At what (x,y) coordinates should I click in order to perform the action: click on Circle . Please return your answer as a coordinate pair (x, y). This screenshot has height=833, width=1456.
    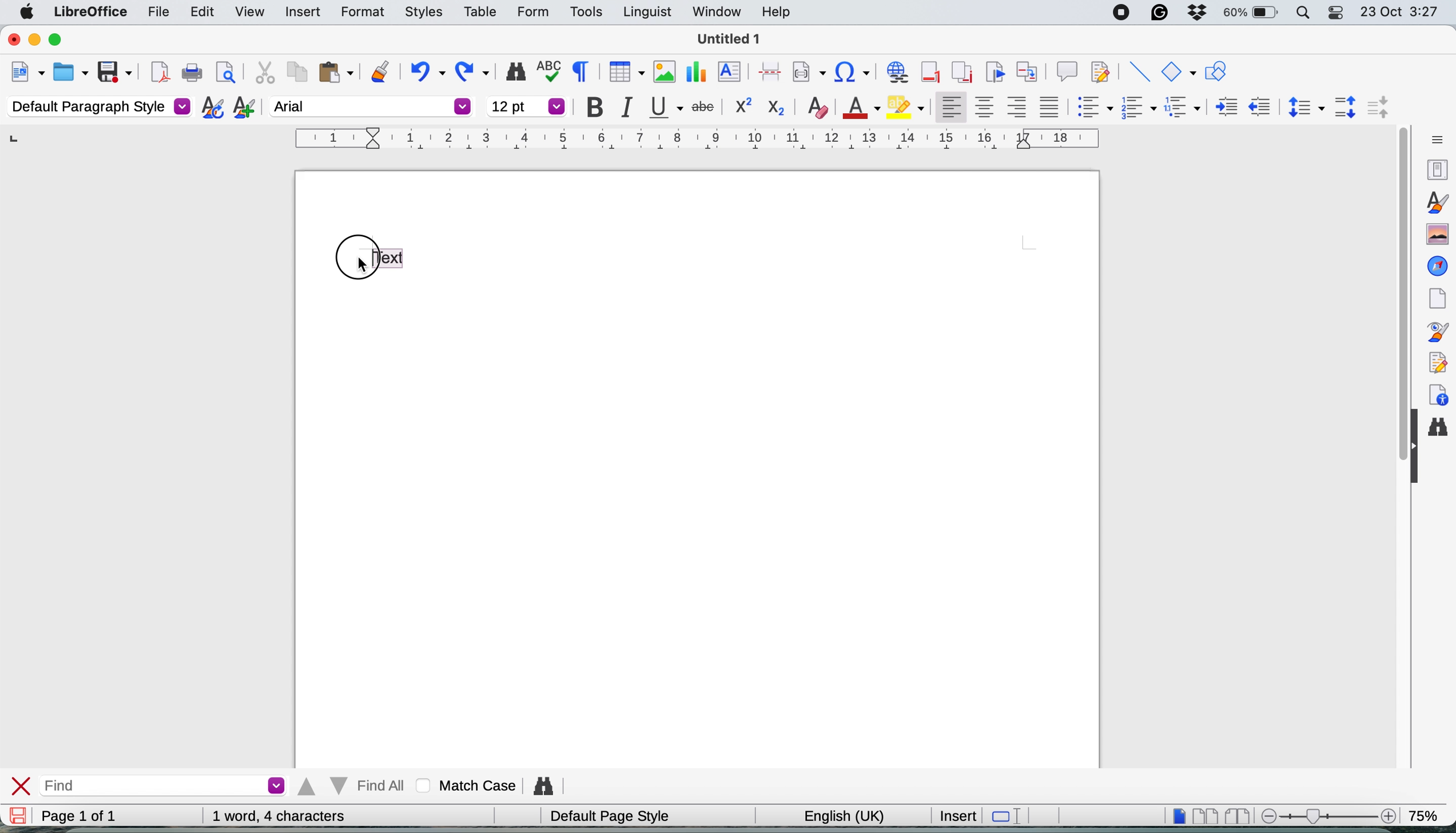
    Looking at the image, I should click on (356, 259).